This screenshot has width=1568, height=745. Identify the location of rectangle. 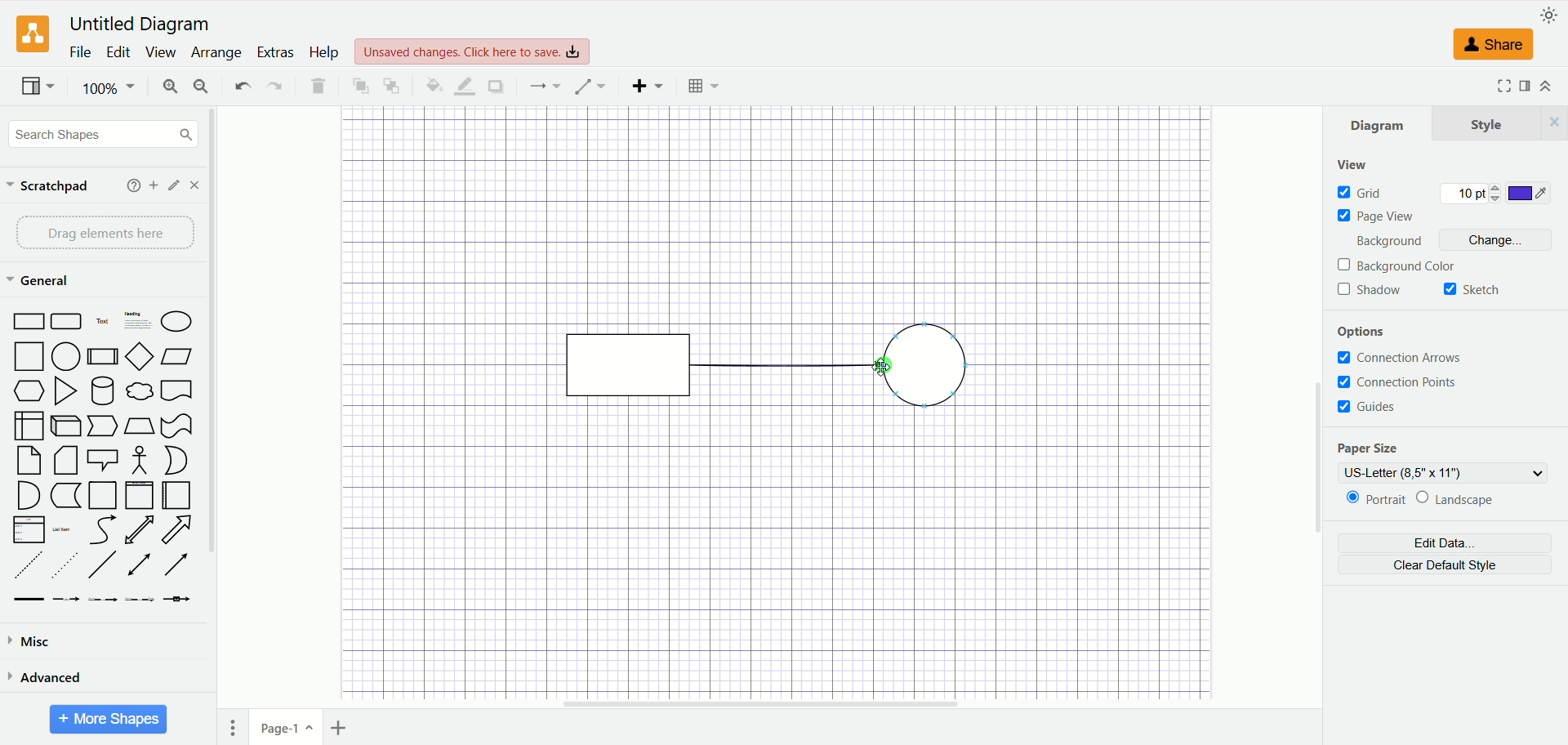
(625, 364).